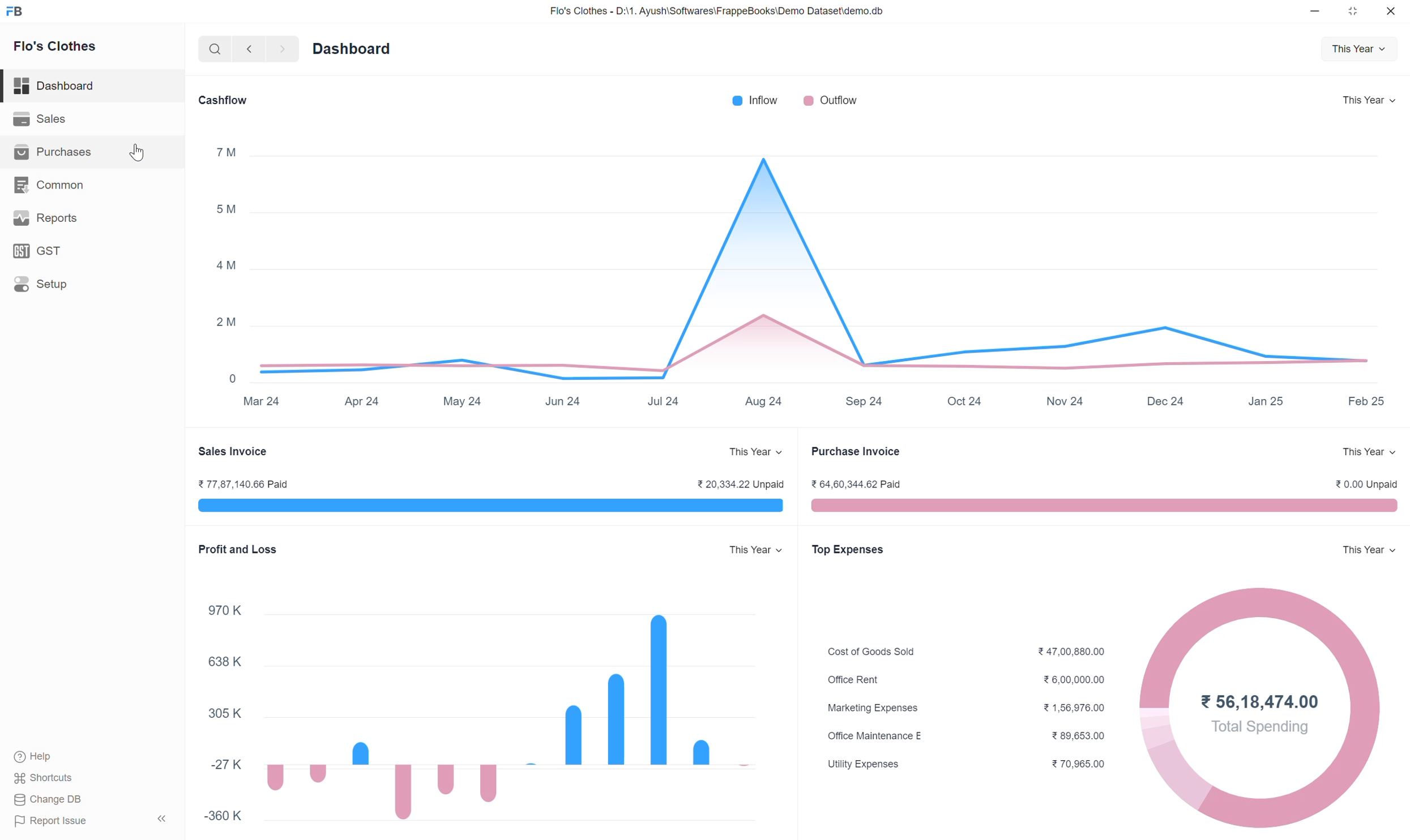 Image resolution: width=1410 pixels, height=840 pixels. What do you see at coordinates (14, 11) in the screenshot?
I see `Frappe Books logo` at bounding box center [14, 11].